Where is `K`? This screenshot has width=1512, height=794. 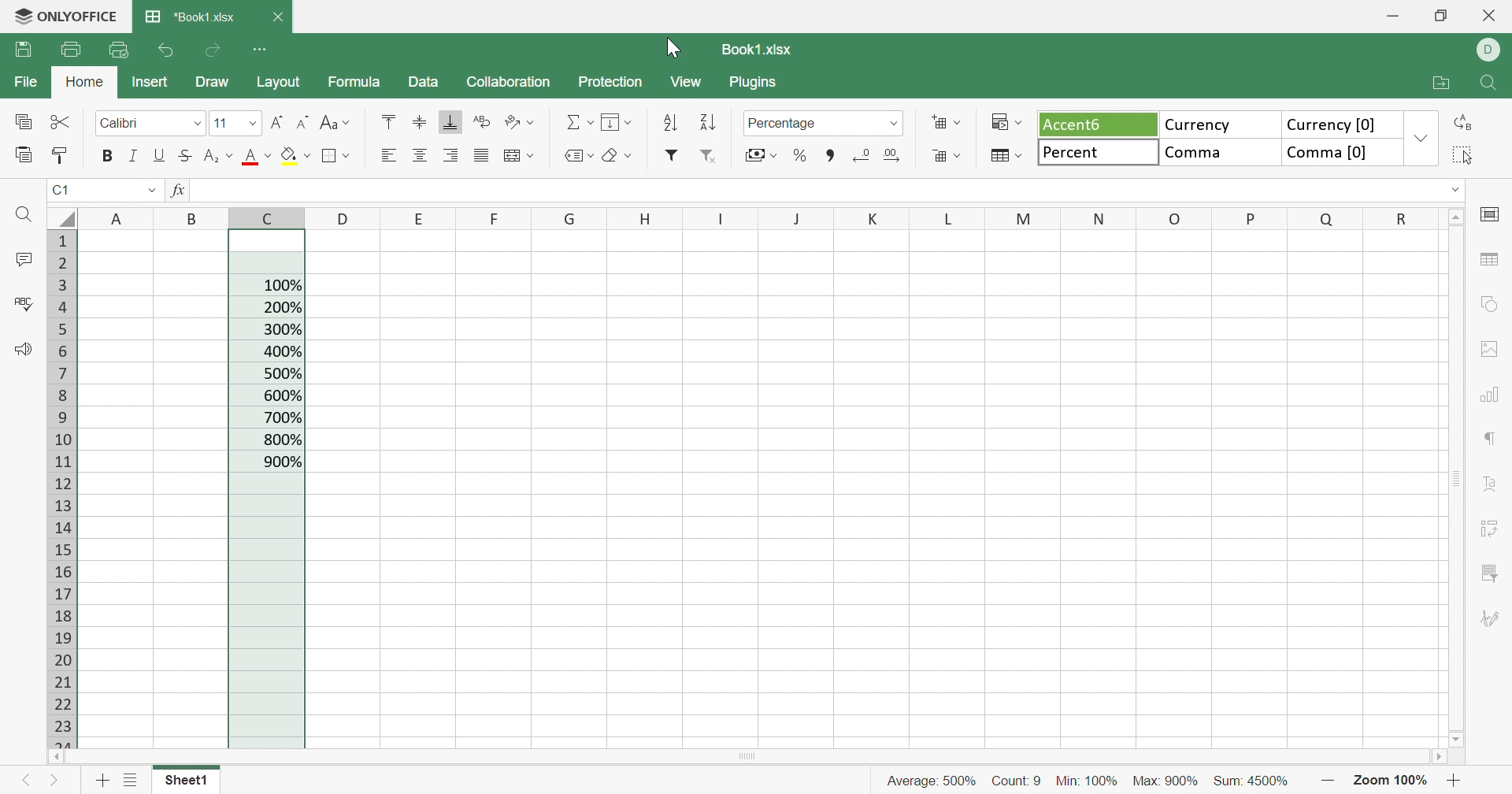 K is located at coordinates (873, 218).